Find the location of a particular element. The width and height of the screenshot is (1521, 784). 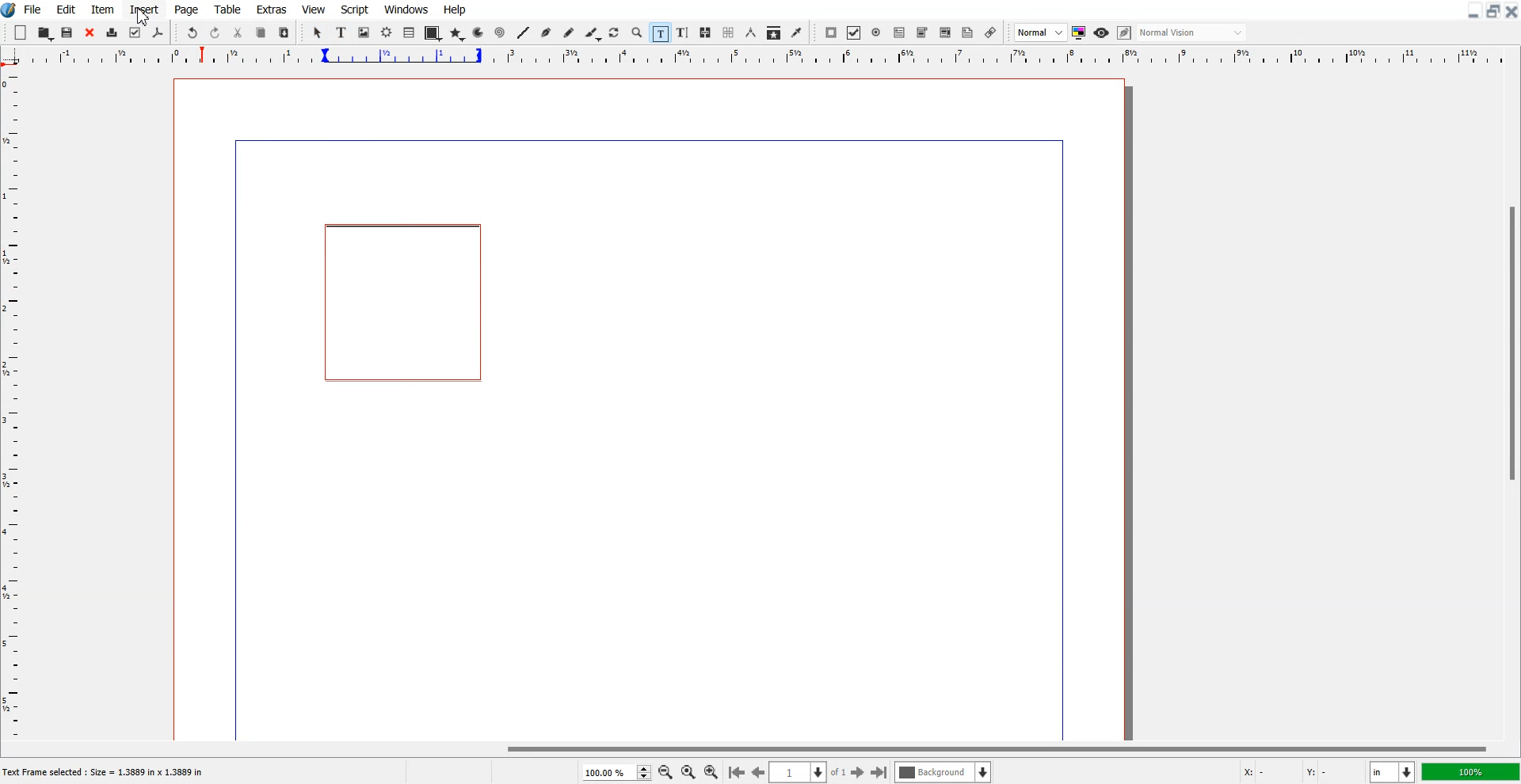

margin is located at coordinates (1065, 437).